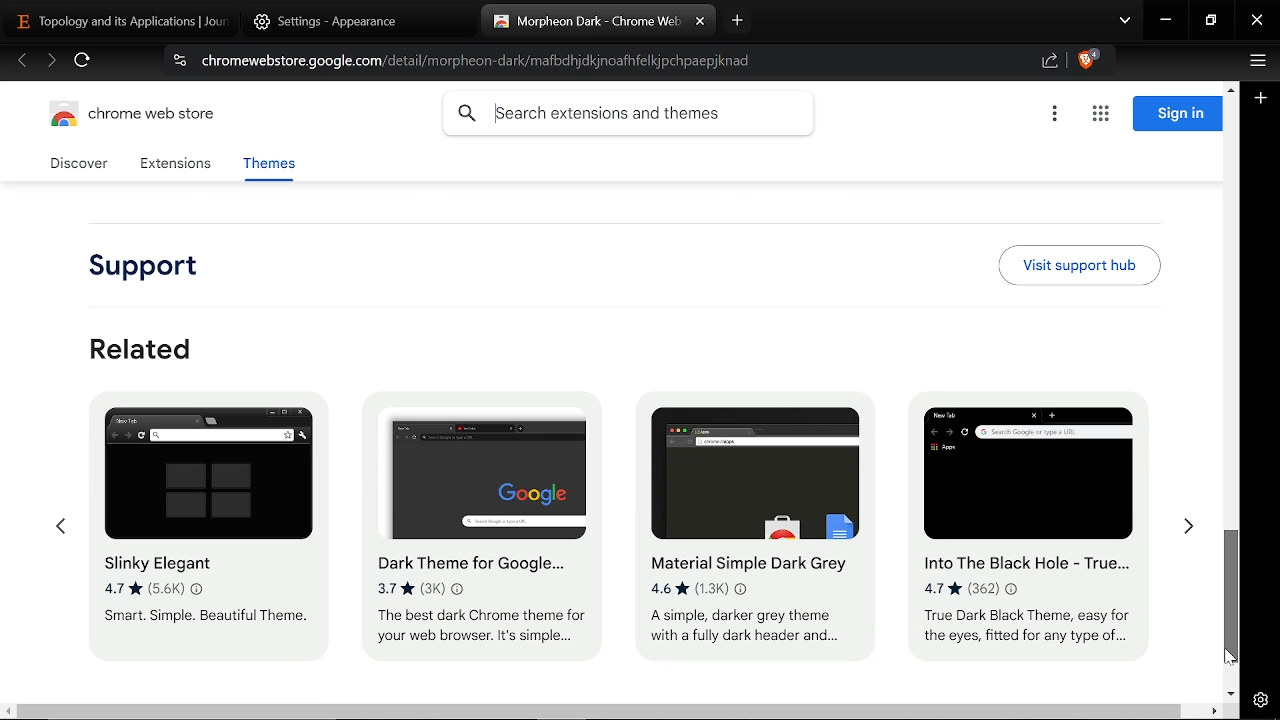 The height and width of the screenshot is (720, 1280). What do you see at coordinates (1177, 114) in the screenshot?
I see `Sign in` at bounding box center [1177, 114].